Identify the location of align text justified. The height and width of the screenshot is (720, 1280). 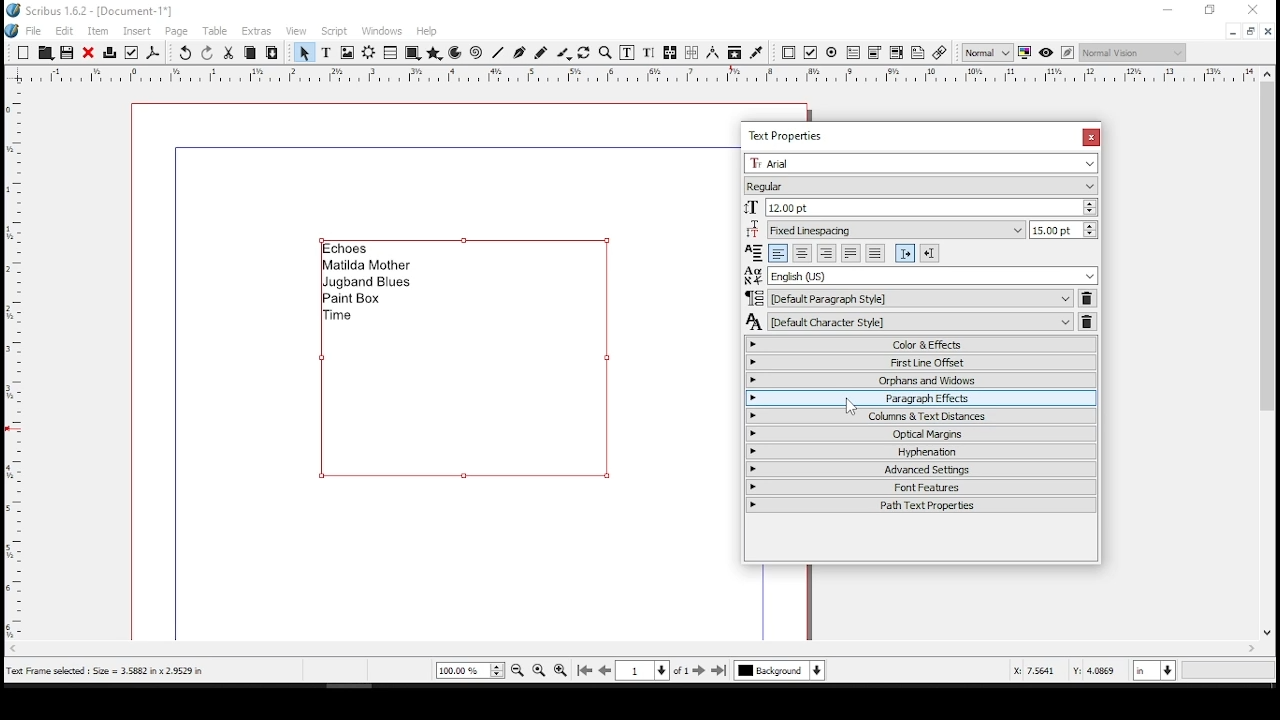
(850, 253).